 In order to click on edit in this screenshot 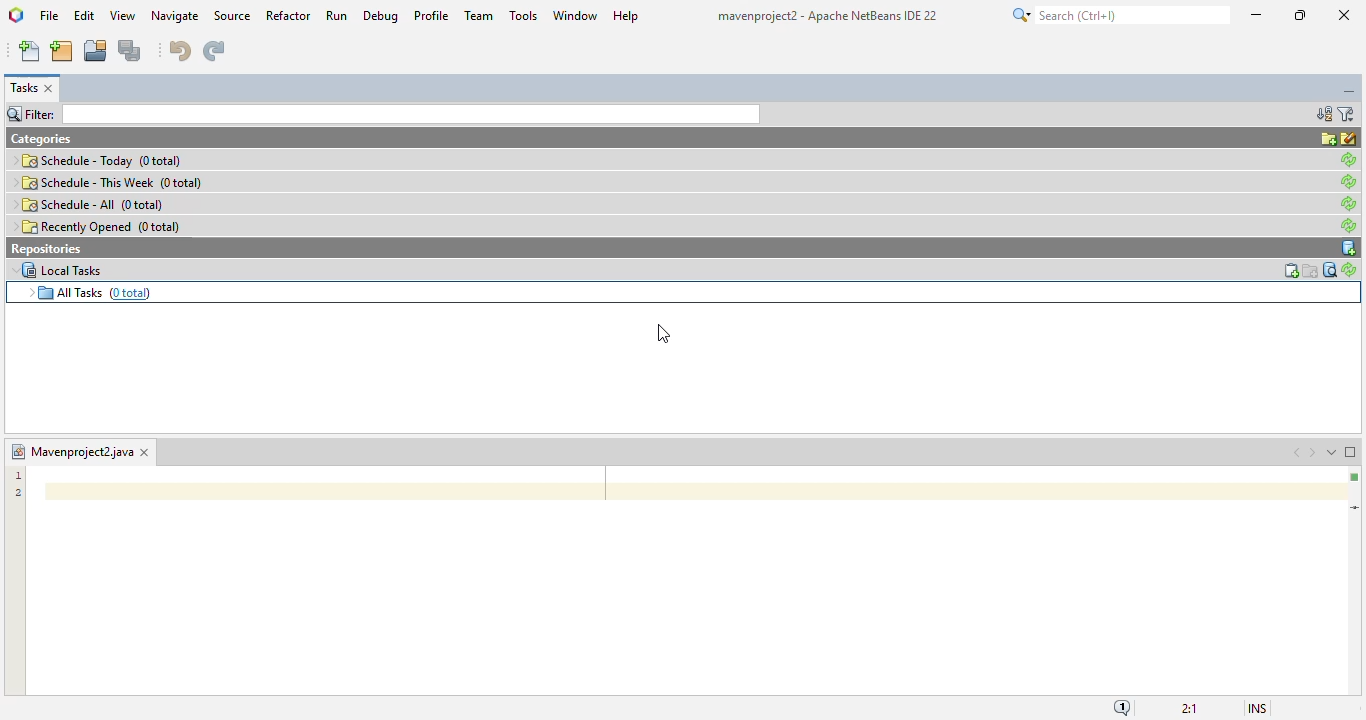, I will do `click(84, 15)`.